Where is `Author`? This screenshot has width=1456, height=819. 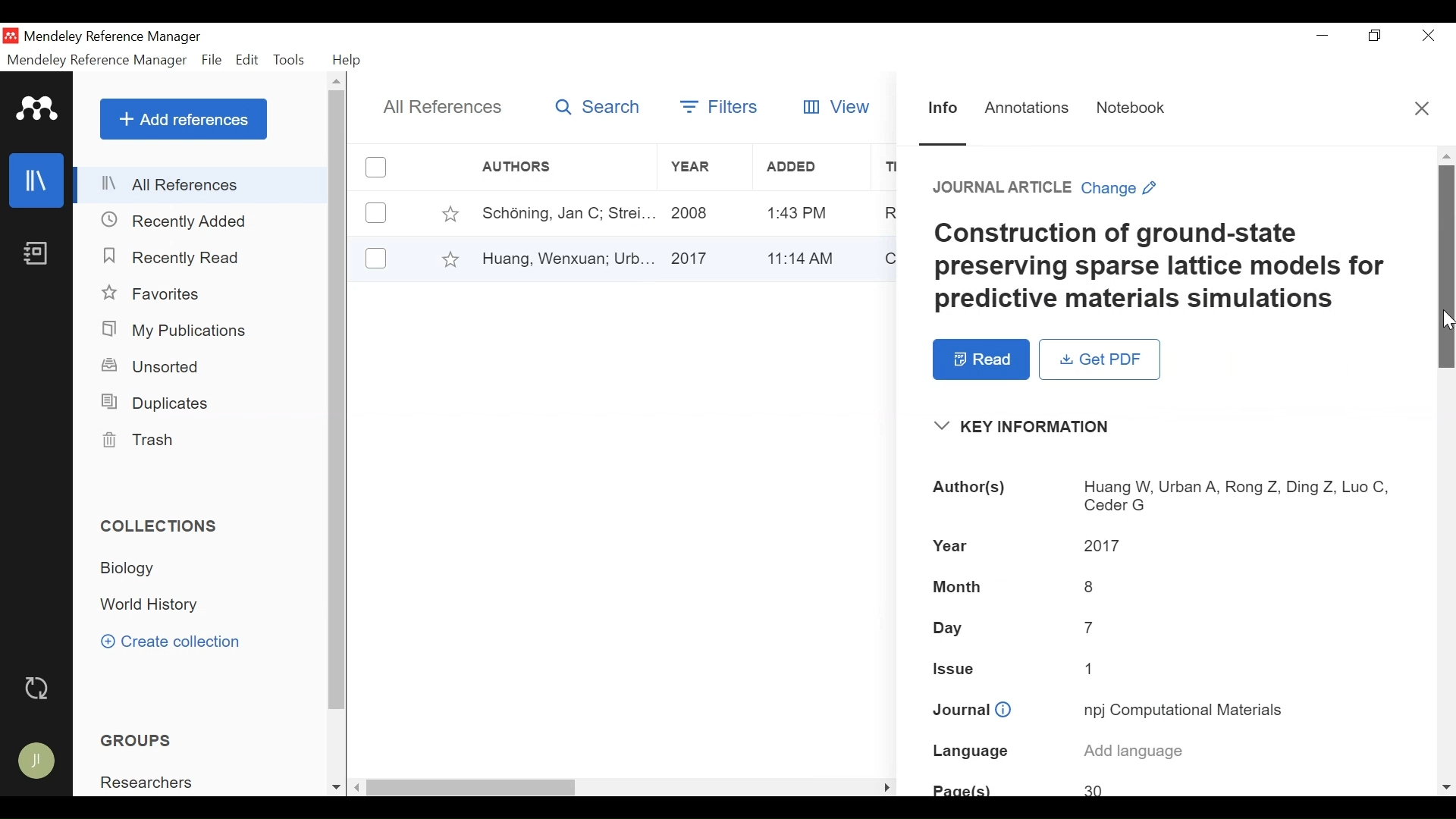 Author is located at coordinates (542, 167).